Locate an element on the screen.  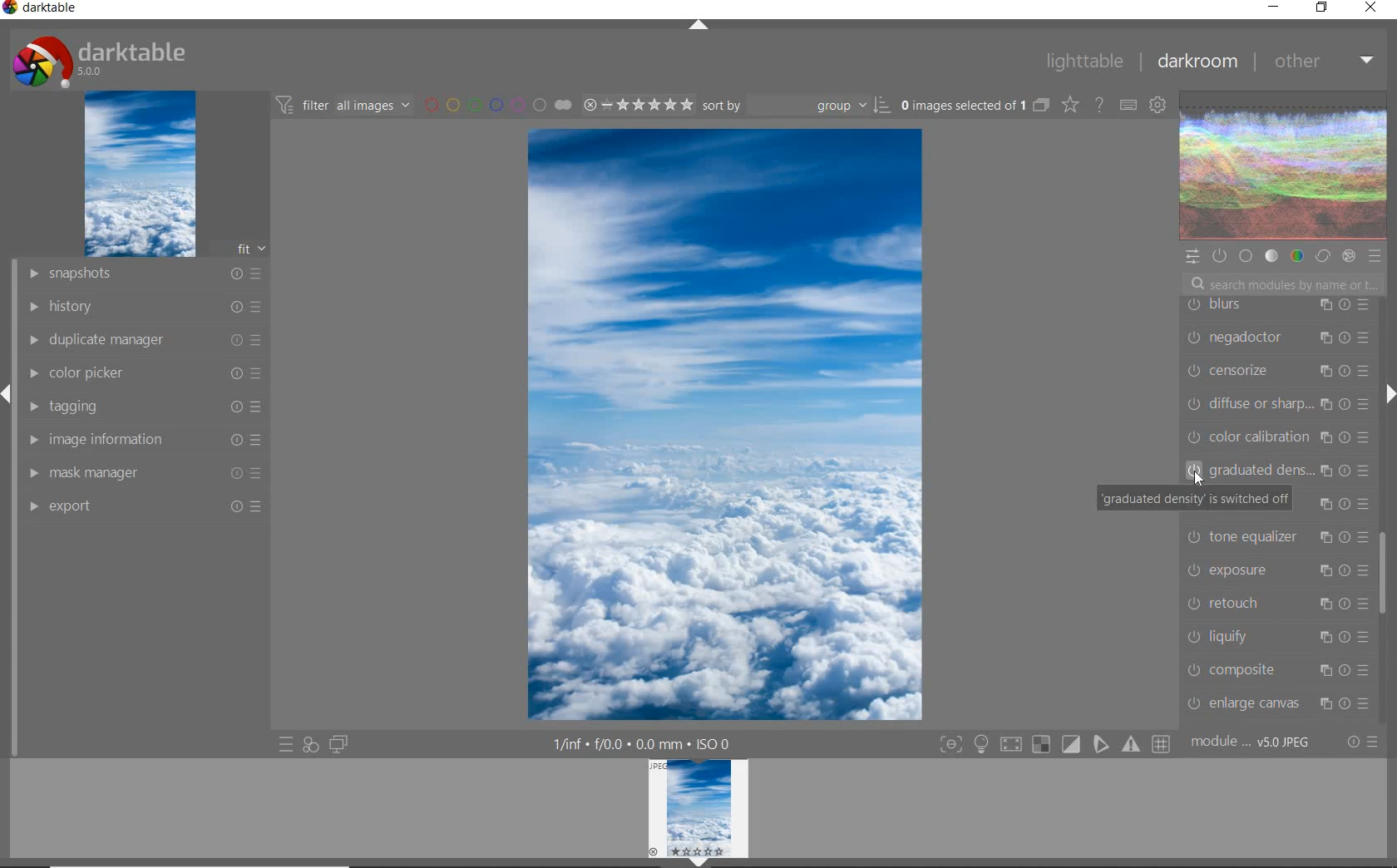
GRADUATED DENSITY is located at coordinates (1282, 471).